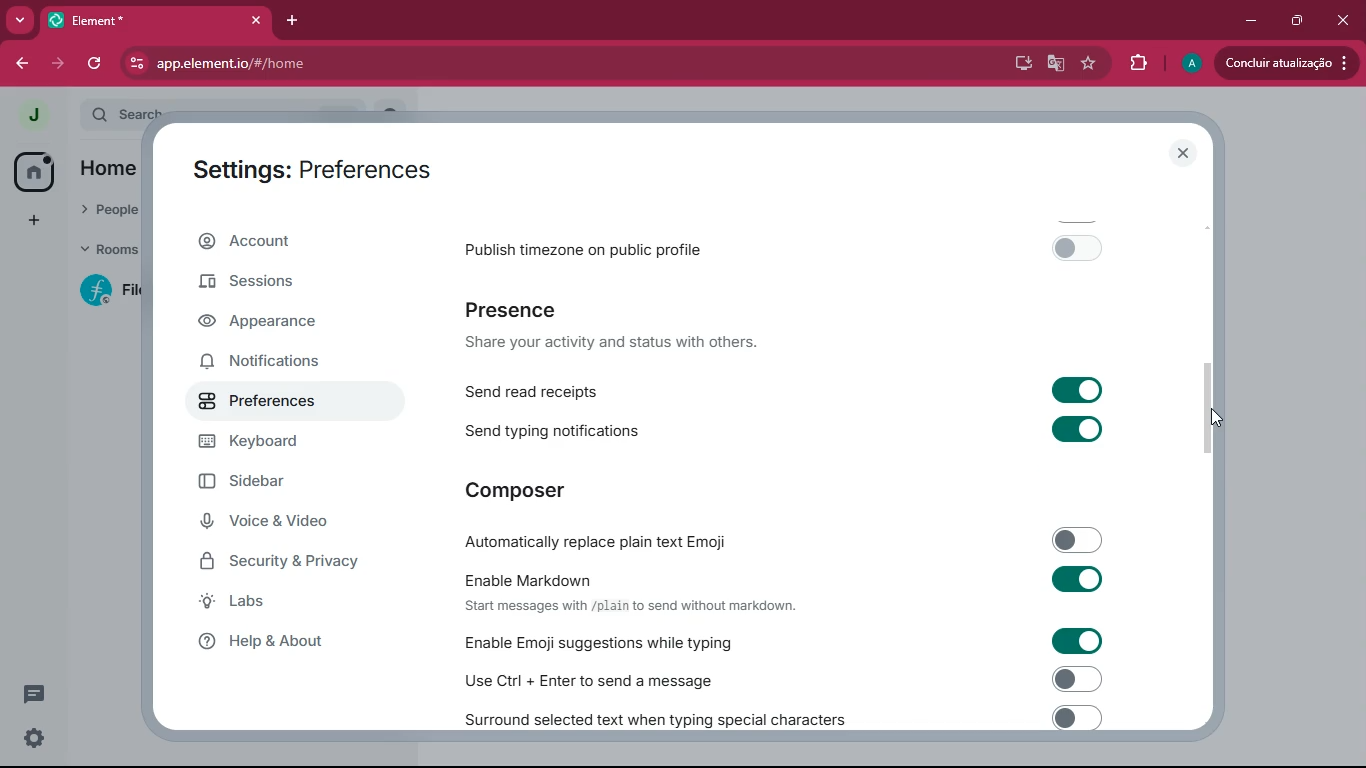 This screenshot has width=1366, height=768. Describe the element at coordinates (297, 21) in the screenshot. I see `add tab` at that location.